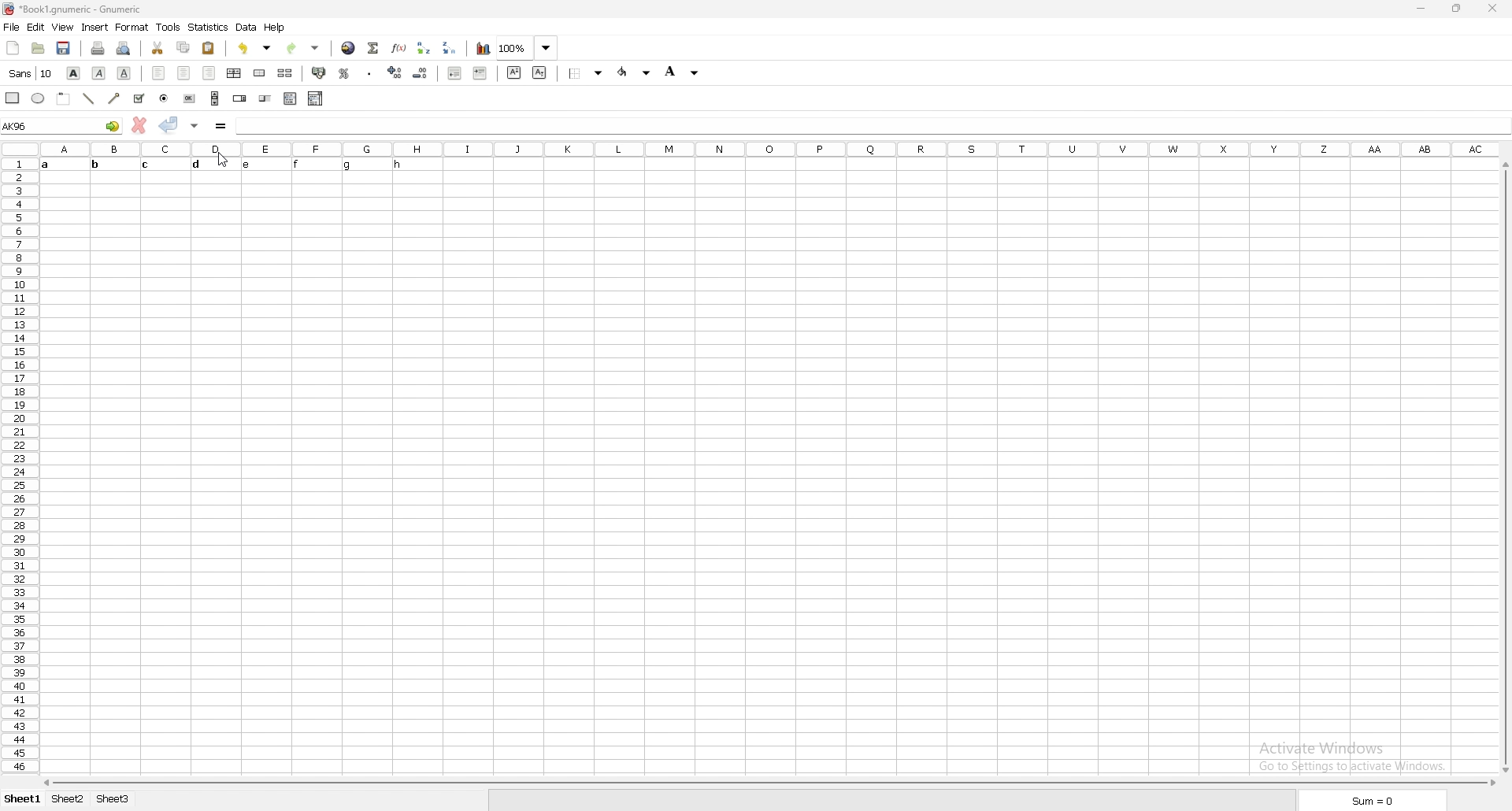  Describe the element at coordinates (165, 99) in the screenshot. I see `radio button` at that location.